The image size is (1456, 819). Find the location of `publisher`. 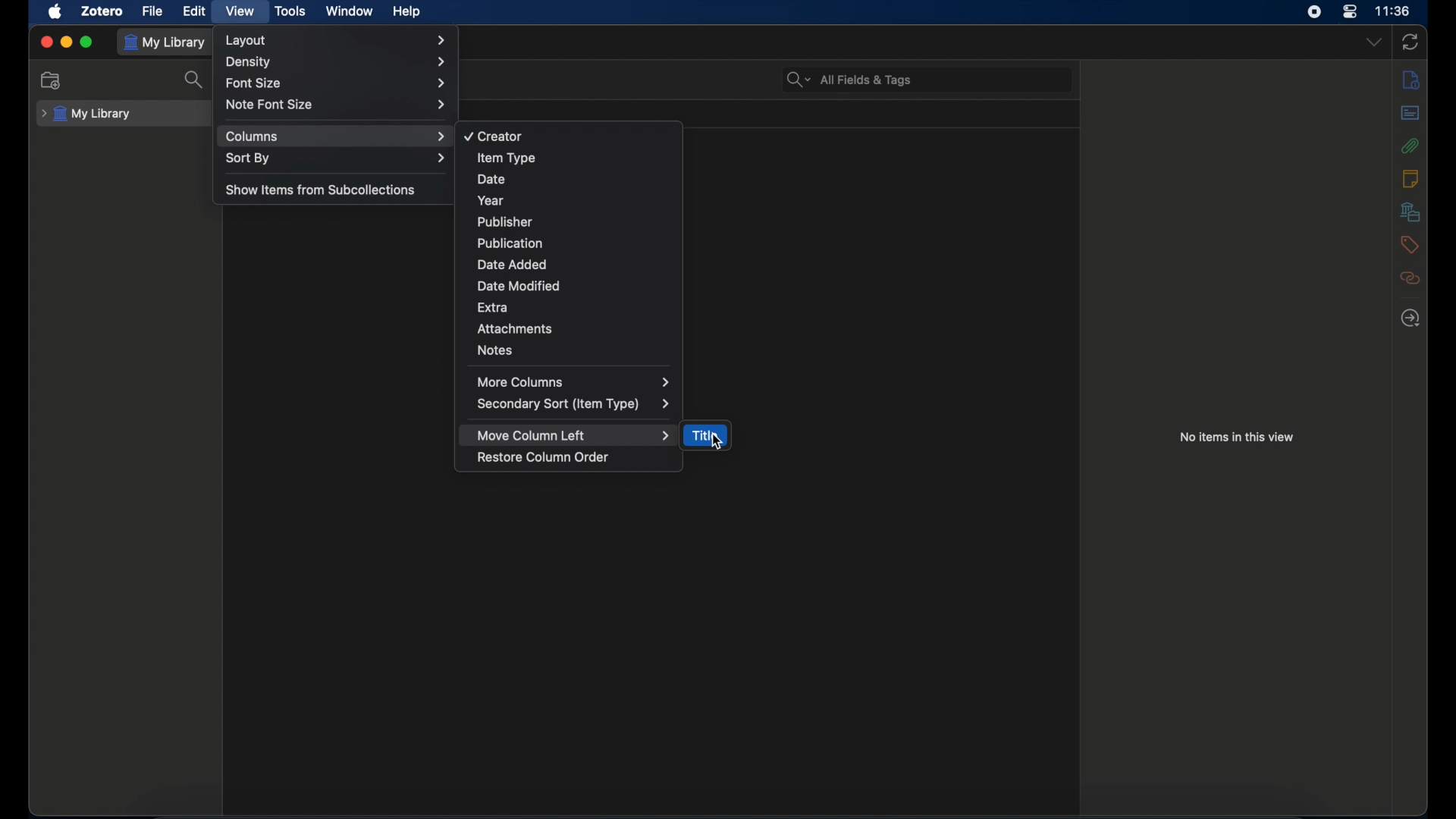

publisher is located at coordinates (504, 221).